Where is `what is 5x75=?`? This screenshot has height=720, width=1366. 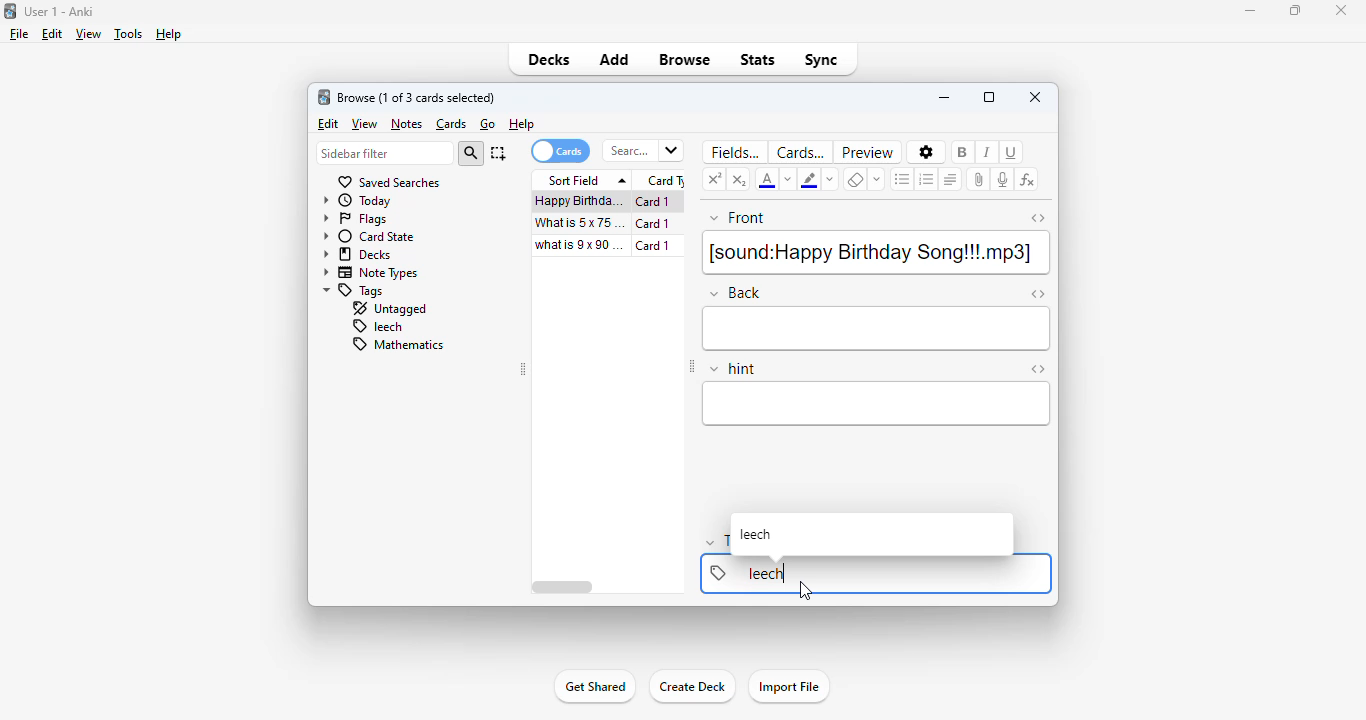
what is 5x75=? is located at coordinates (580, 222).